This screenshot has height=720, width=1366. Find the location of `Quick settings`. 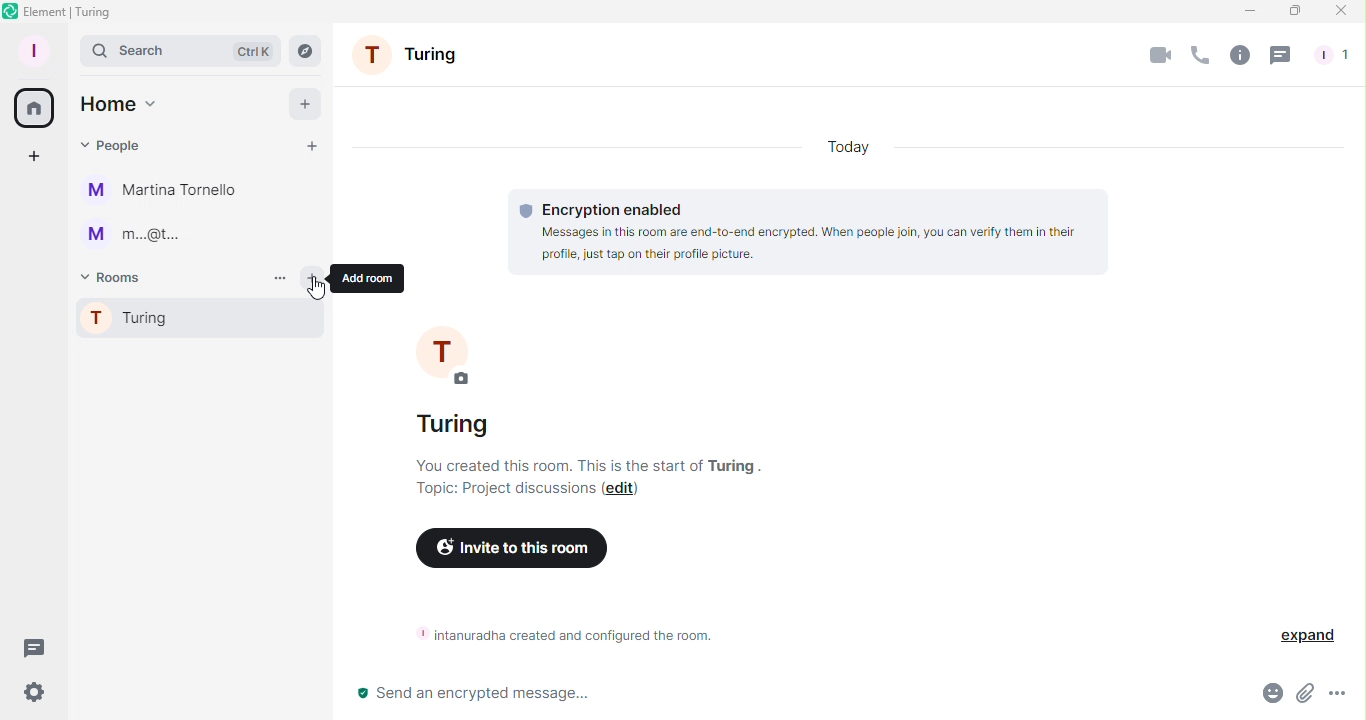

Quick settings is located at coordinates (27, 696).